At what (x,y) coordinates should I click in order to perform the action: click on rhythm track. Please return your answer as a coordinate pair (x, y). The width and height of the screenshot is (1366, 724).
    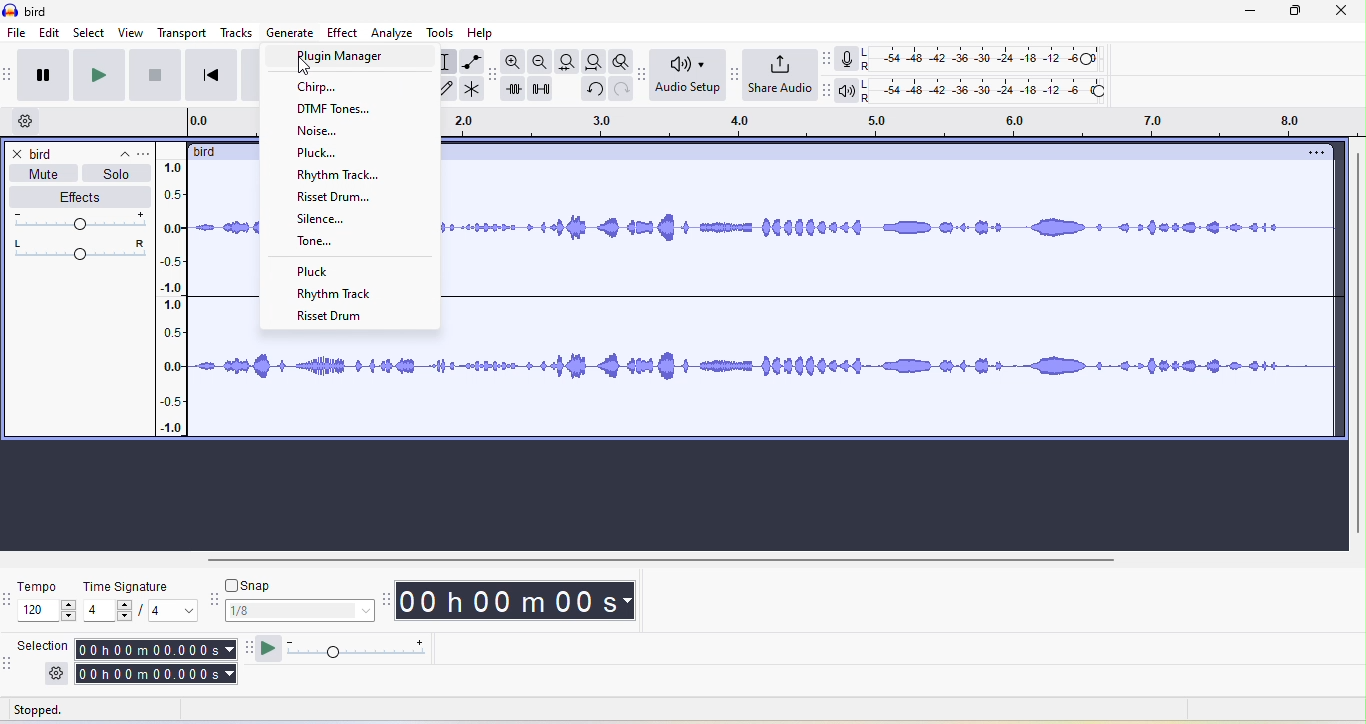
    Looking at the image, I should click on (339, 177).